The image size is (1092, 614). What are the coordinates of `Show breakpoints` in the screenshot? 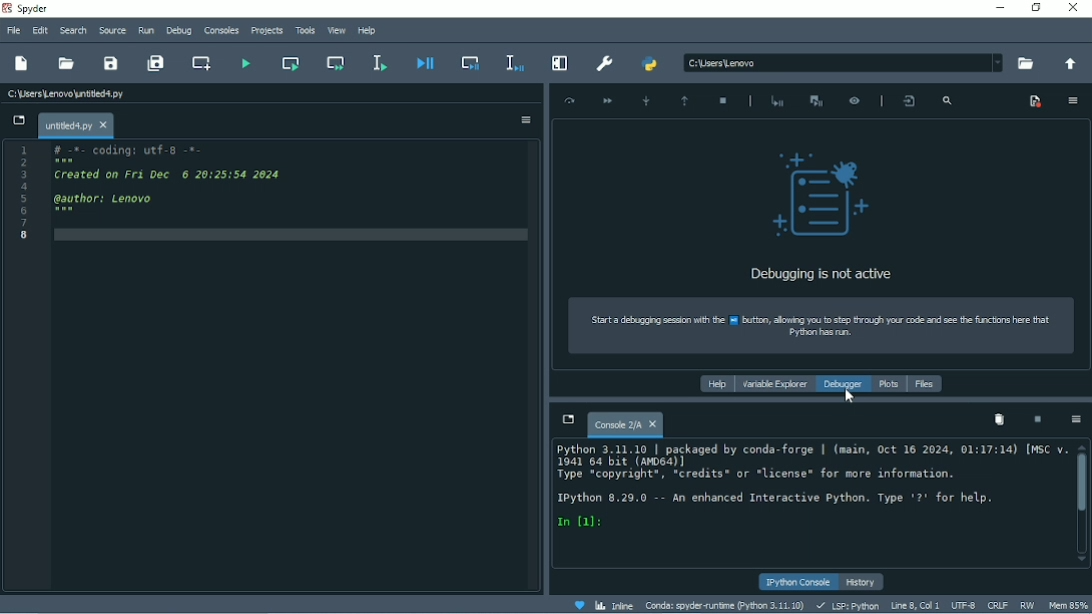 It's located at (1032, 101).